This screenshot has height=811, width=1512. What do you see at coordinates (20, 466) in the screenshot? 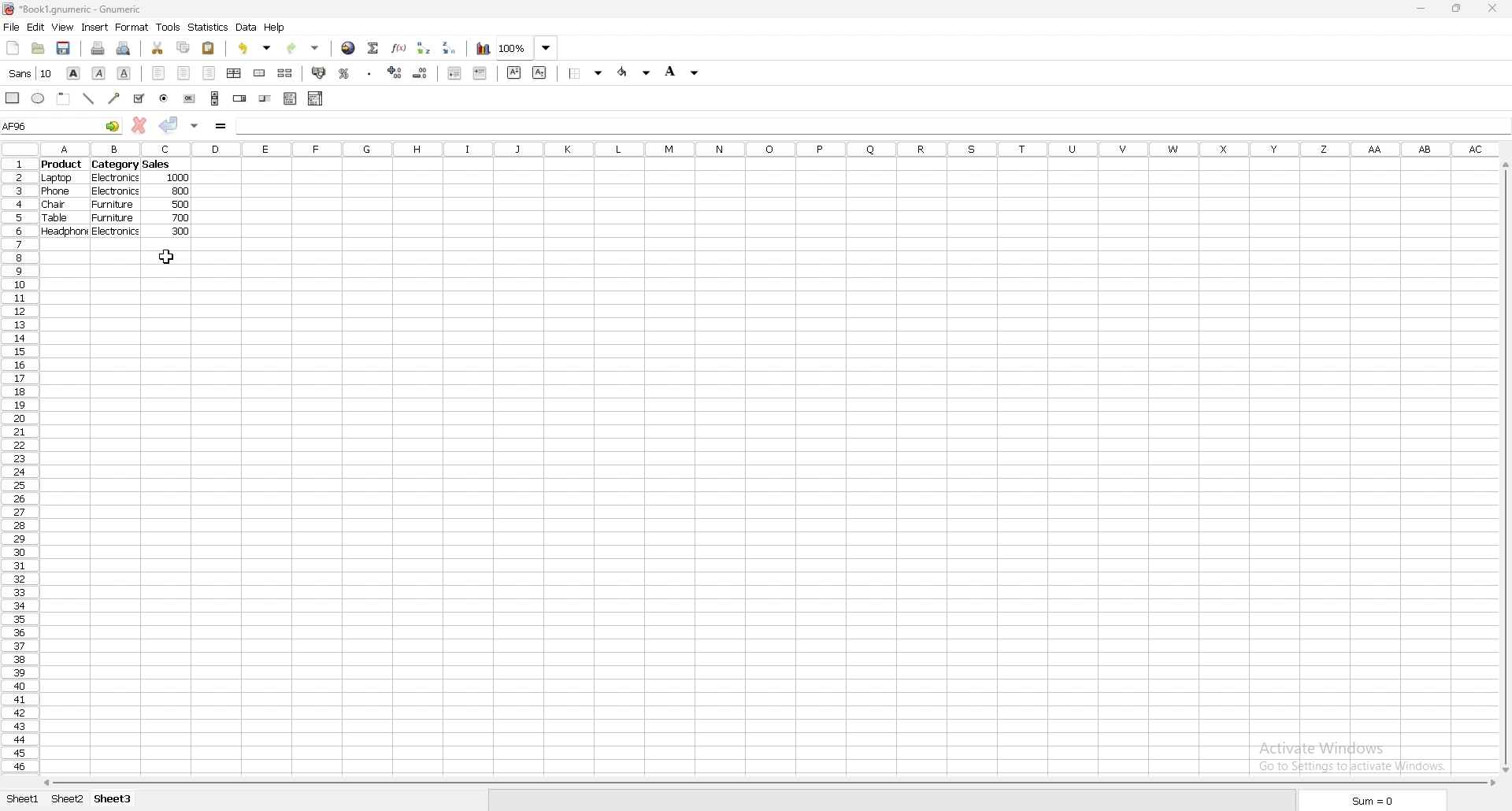
I see `row` at bounding box center [20, 466].